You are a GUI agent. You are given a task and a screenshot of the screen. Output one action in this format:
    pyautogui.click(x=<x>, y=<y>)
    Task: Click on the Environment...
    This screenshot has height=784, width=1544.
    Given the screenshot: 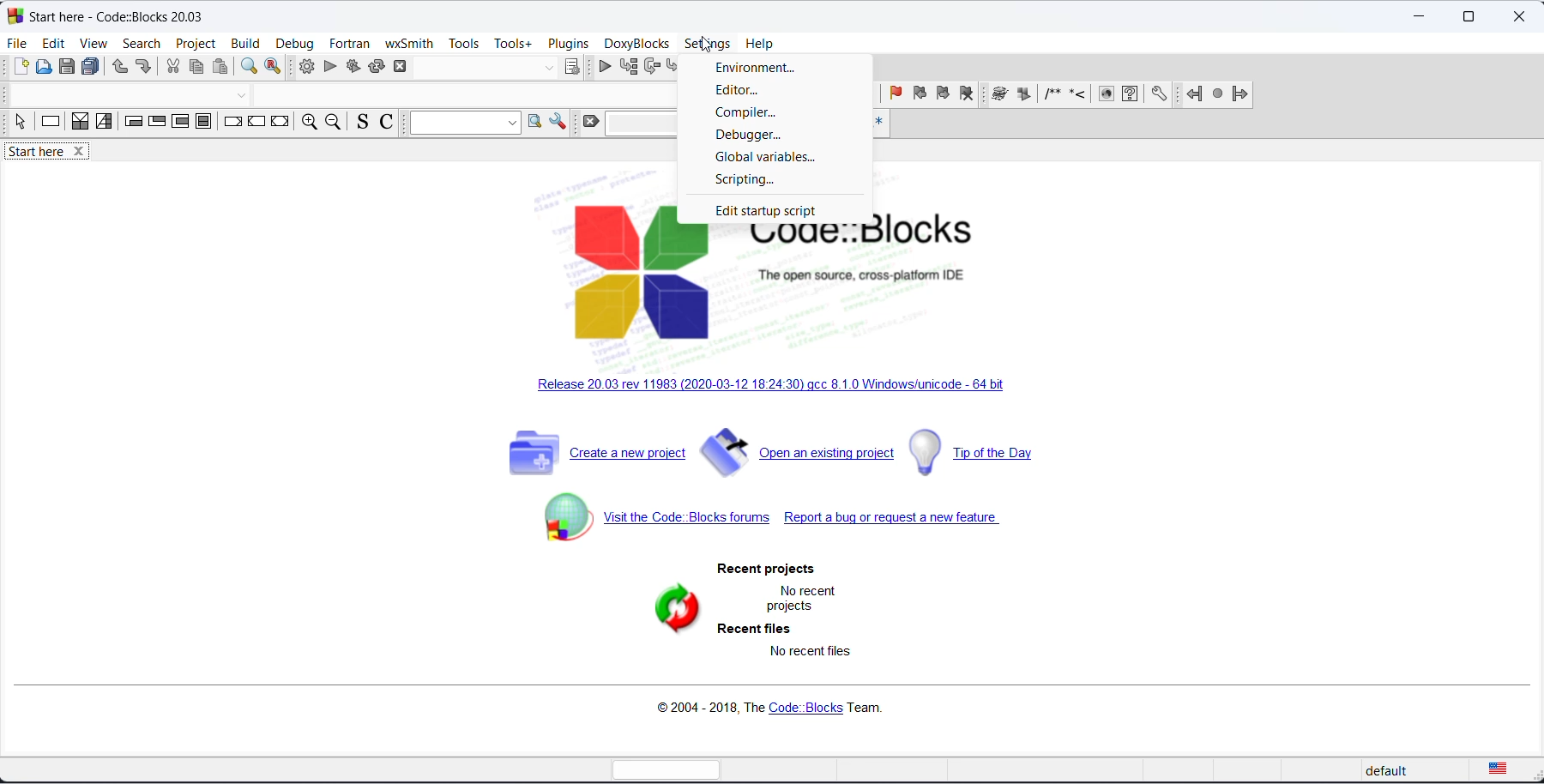 What is the action you would take?
    pyautogui.click(x=755, y=67)
    